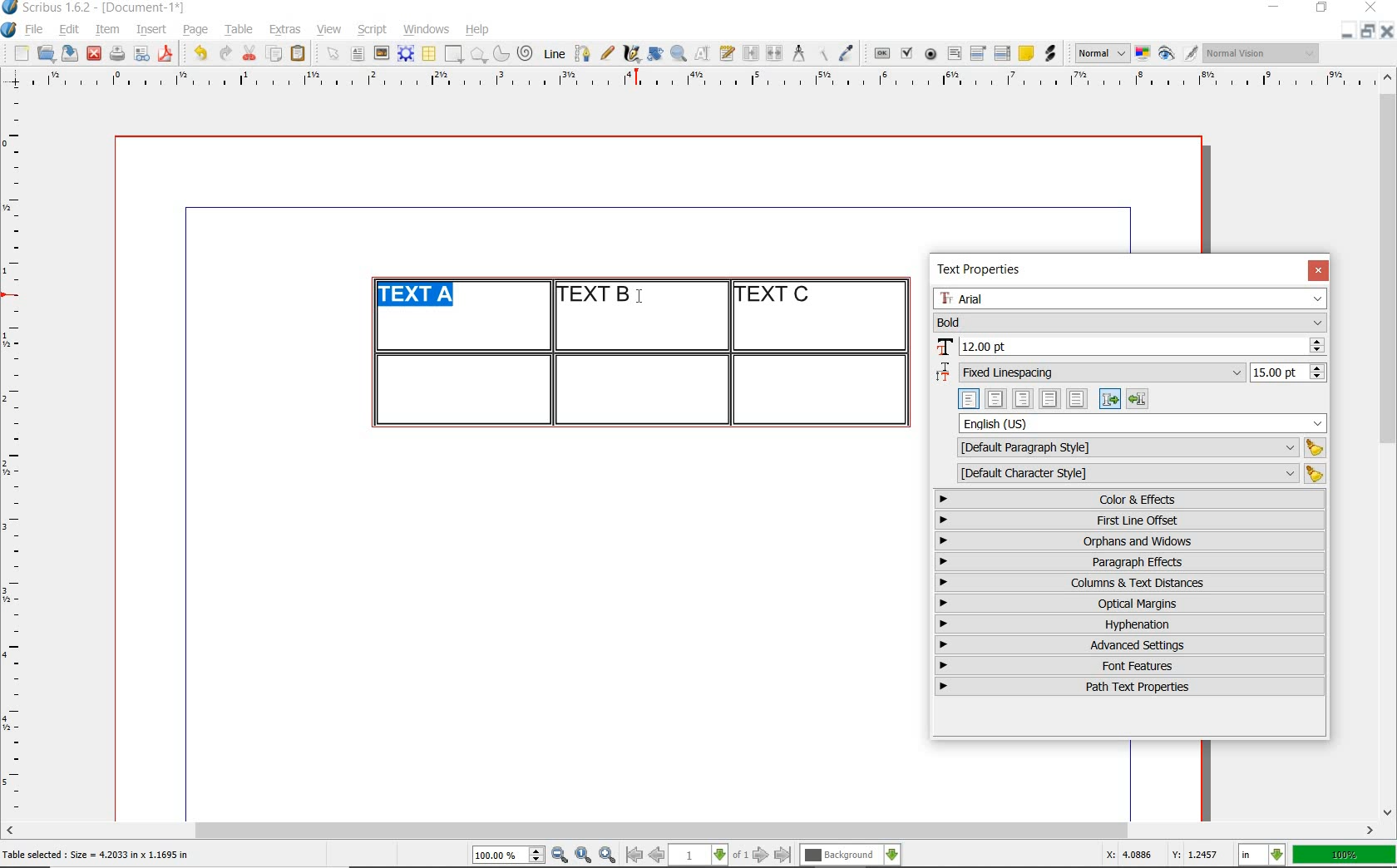 The image size is (1397, 868). I want to click on spiral, so click(526, 53).